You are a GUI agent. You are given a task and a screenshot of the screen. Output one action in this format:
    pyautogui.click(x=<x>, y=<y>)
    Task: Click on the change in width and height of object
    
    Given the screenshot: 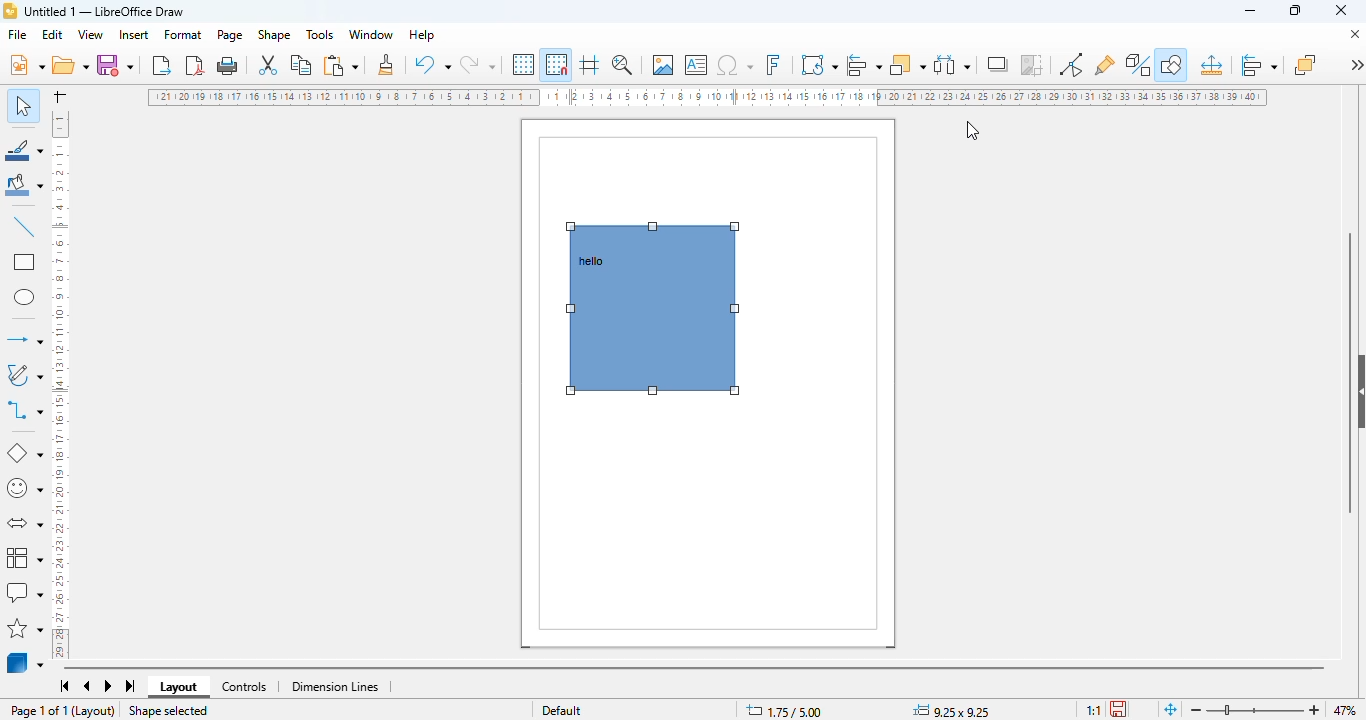 What is the action you would take?
    pyautogui.click(x=951, y=710)
    